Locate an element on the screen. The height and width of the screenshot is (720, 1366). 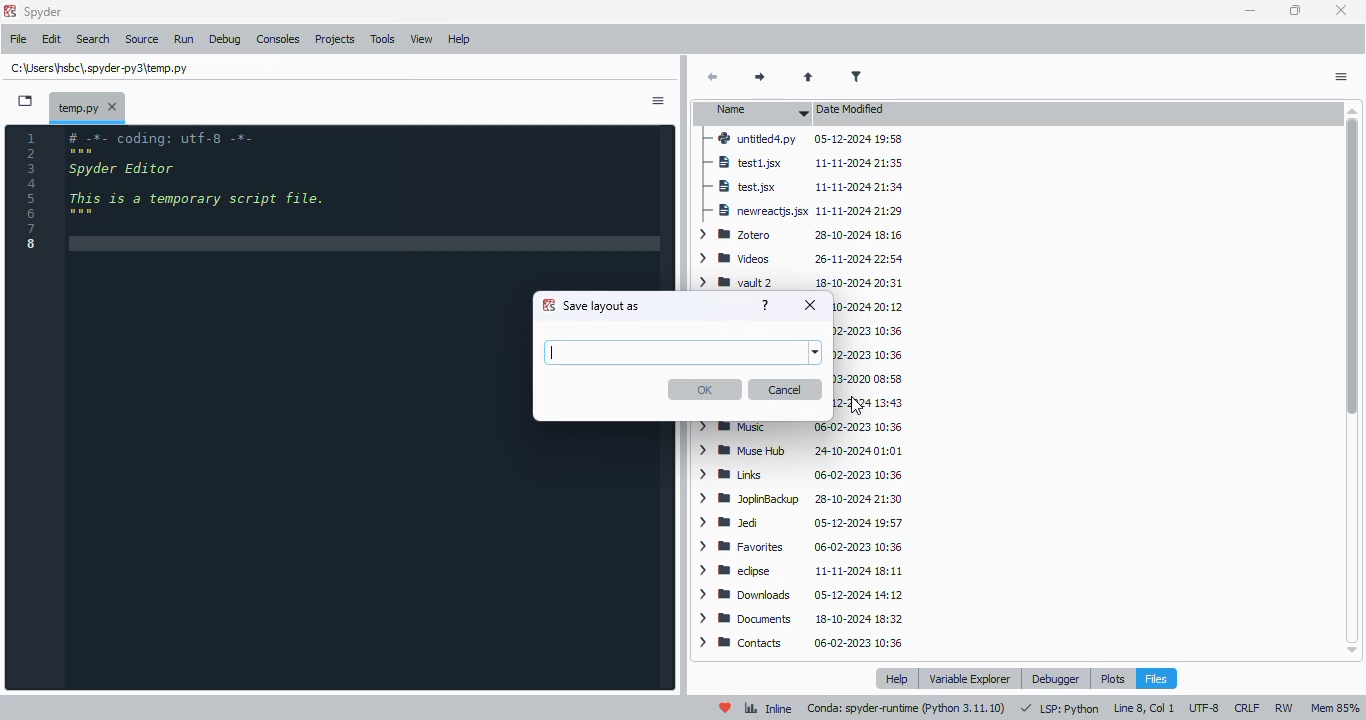
date modified is located at coordinates (854, 110).